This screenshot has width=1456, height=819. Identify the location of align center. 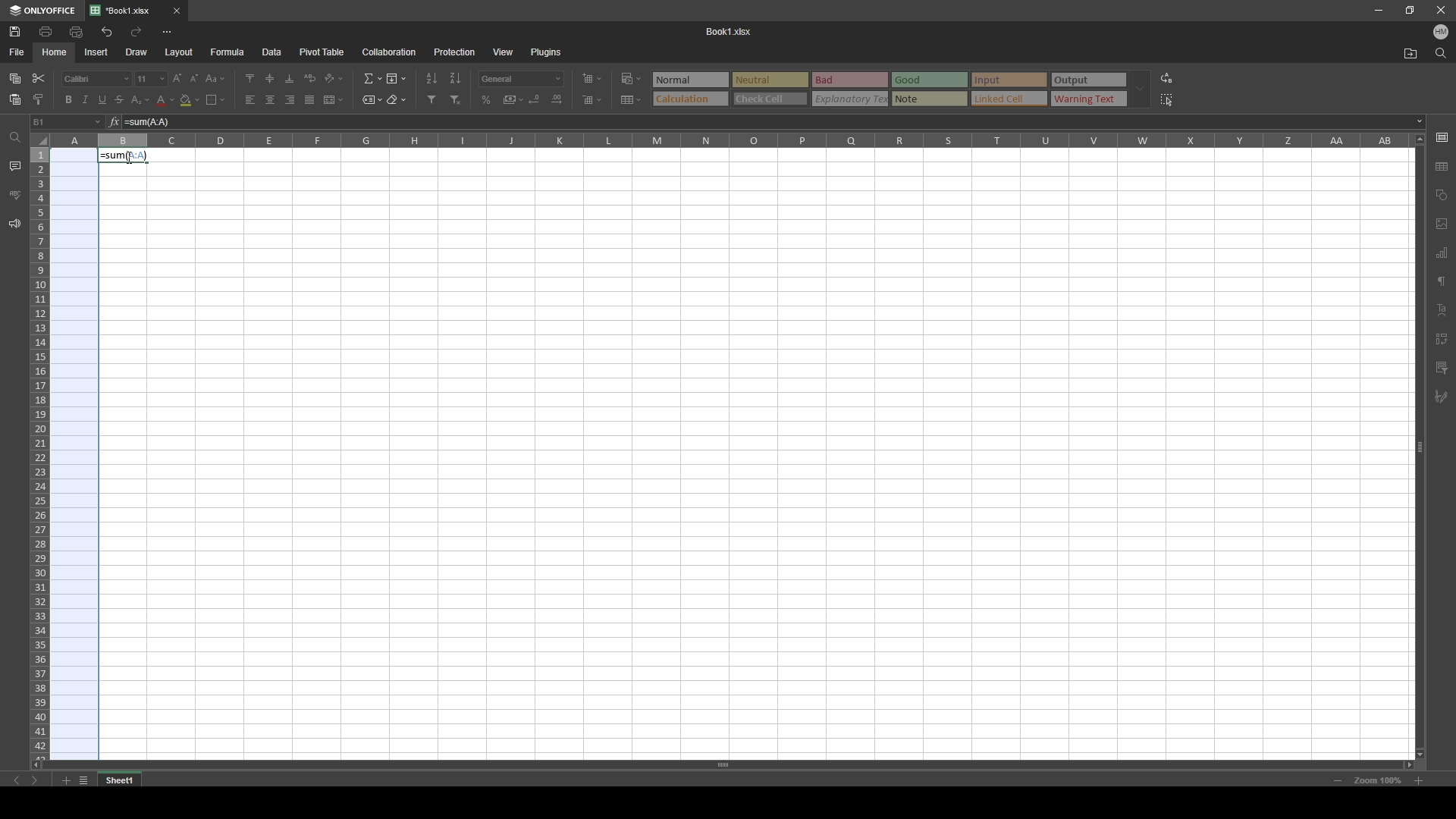
(271, 99).